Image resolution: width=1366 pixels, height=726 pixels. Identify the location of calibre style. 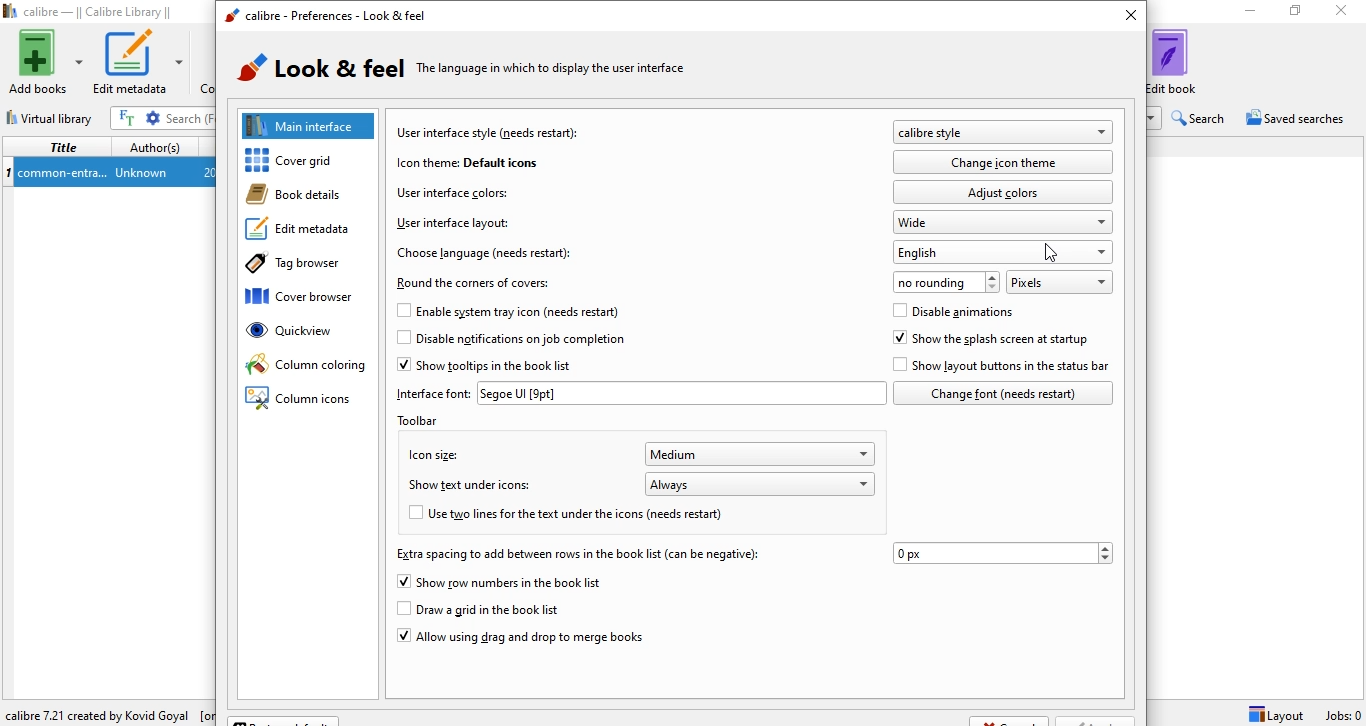
(1002, 133).